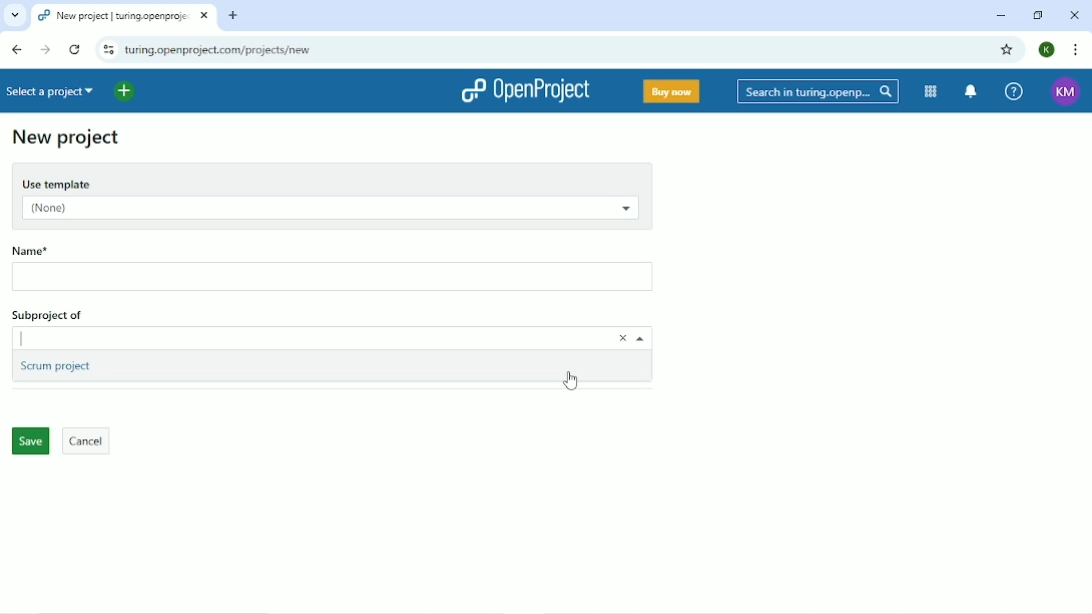 The image size is (1092, 614). What do you see at coordinates (59, 368) in the screenshot?
I see `Scrum project` at bounding box center [59, 368].